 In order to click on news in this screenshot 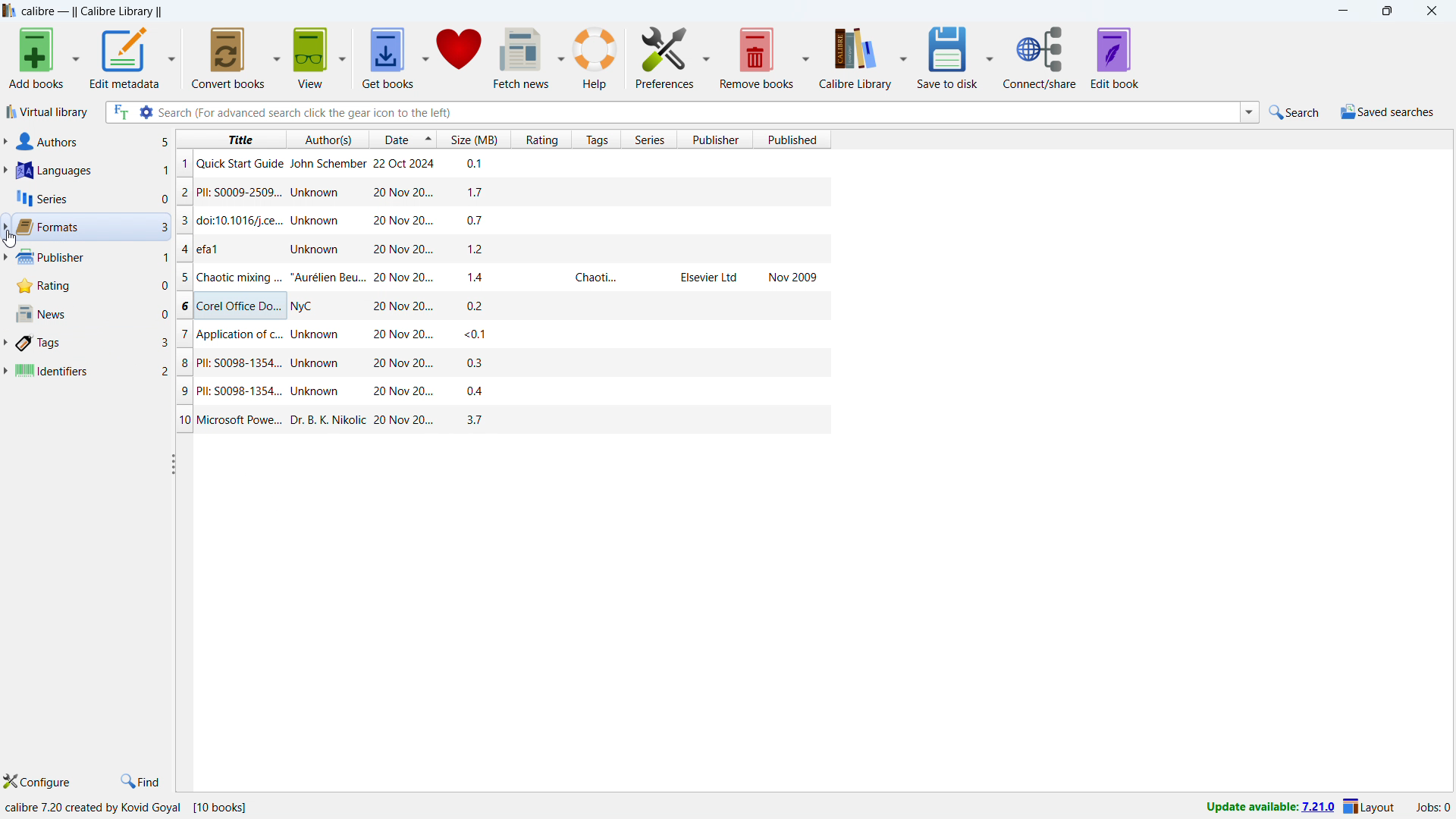, I will do `click(90, 312)`.